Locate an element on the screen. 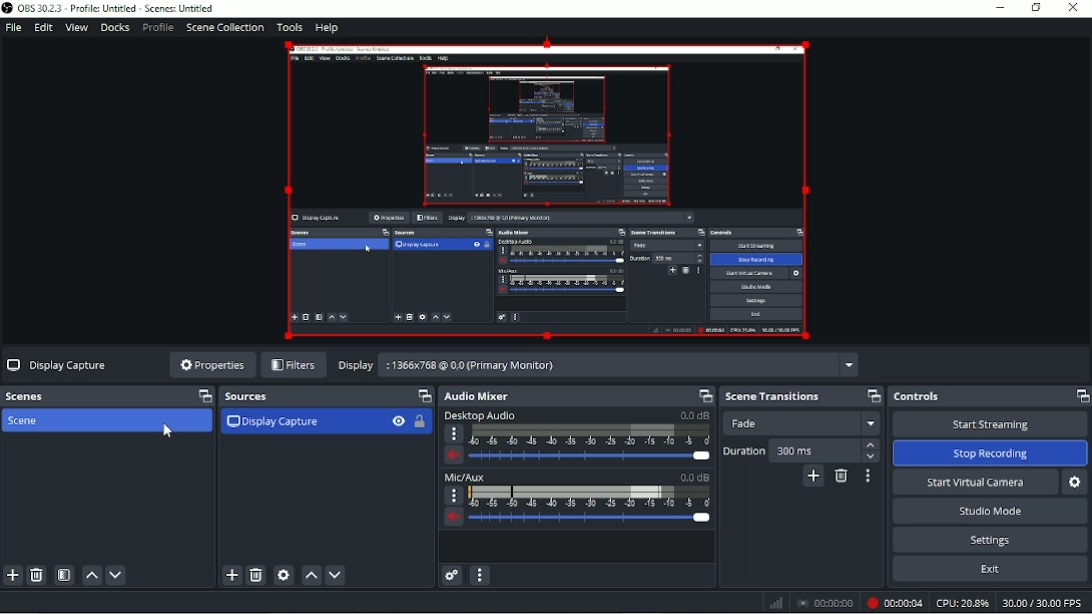  Filters is located at coordinates (293, 366).